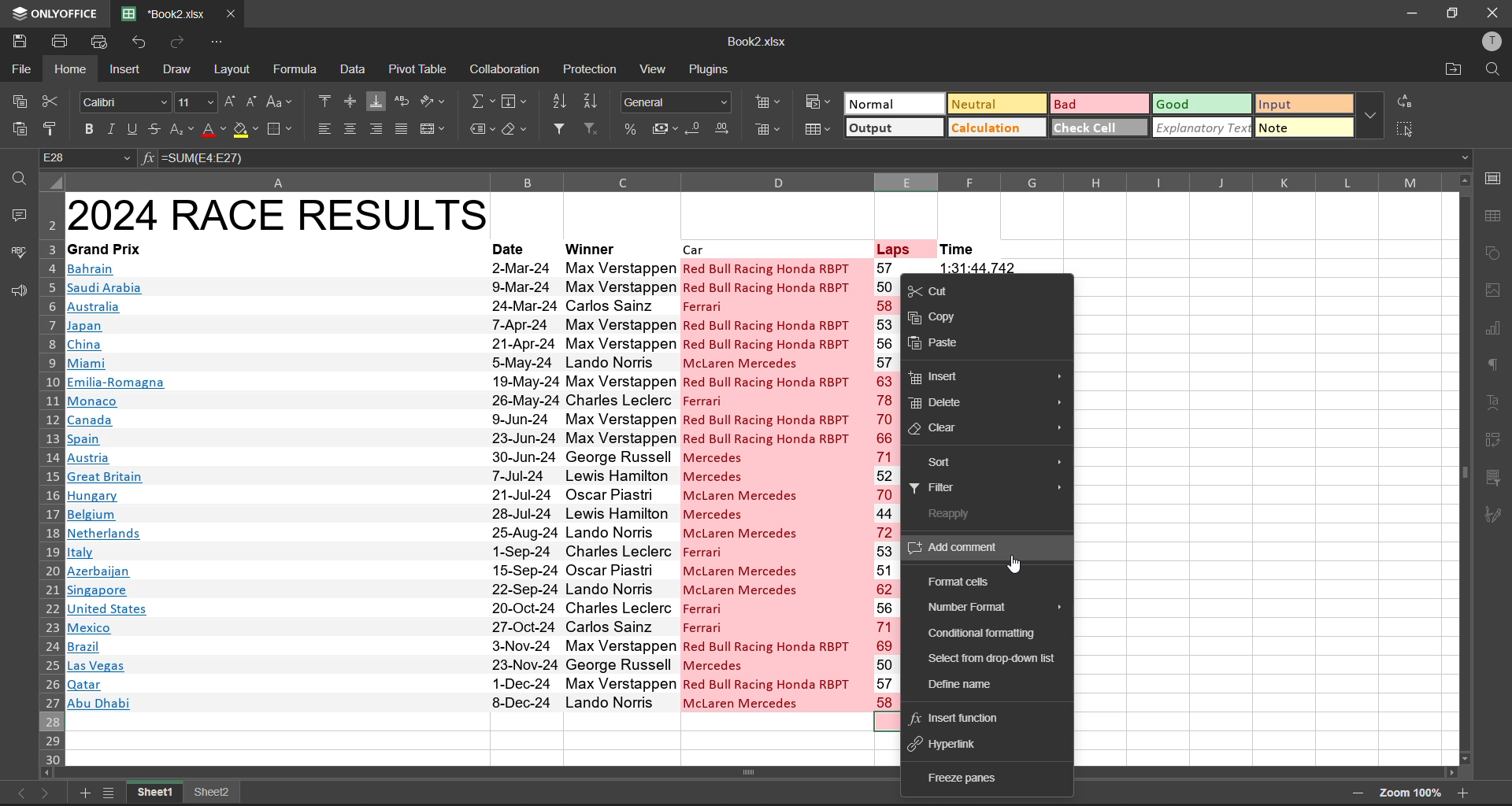 This screenshot has height=806, width=1512. I want to click on paste, so click(939, 344).